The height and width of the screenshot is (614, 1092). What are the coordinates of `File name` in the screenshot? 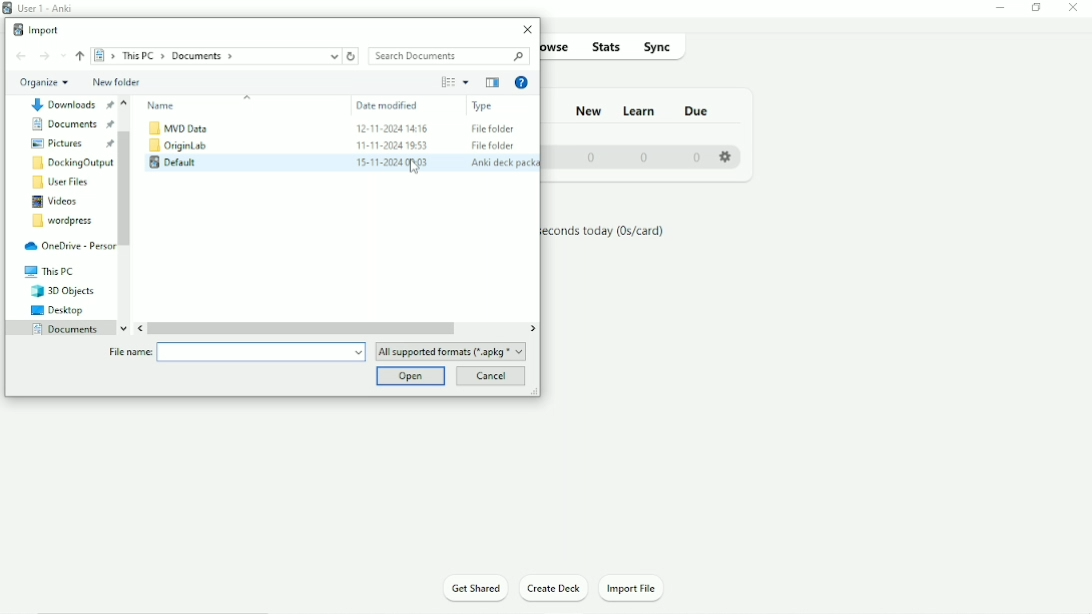 It's located at (235, 352).